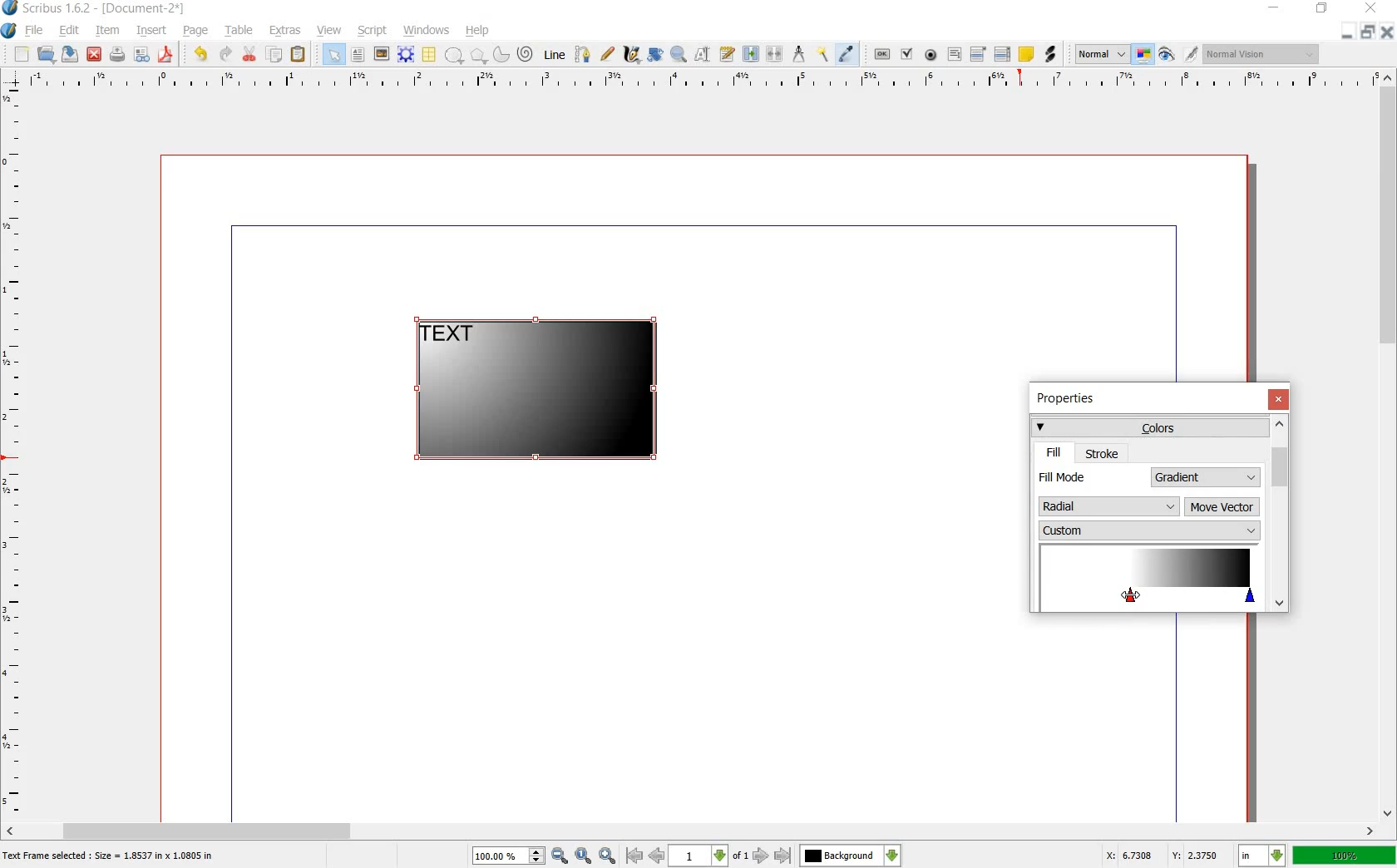 This screenshot has width=1397, height=868. Describe the element at coordinates (285, 31) in the screenshot. I see `extras` at that location.